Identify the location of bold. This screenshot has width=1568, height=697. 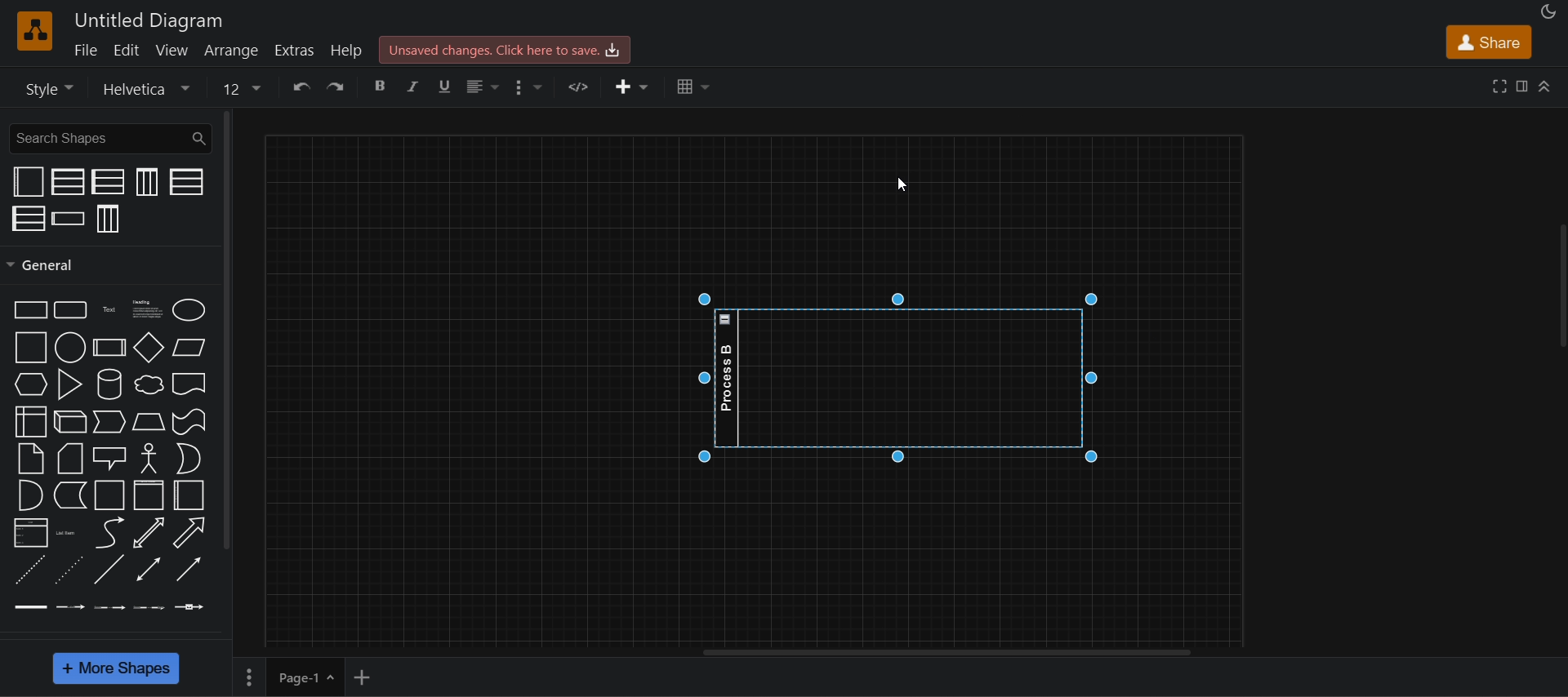
(381, 87).